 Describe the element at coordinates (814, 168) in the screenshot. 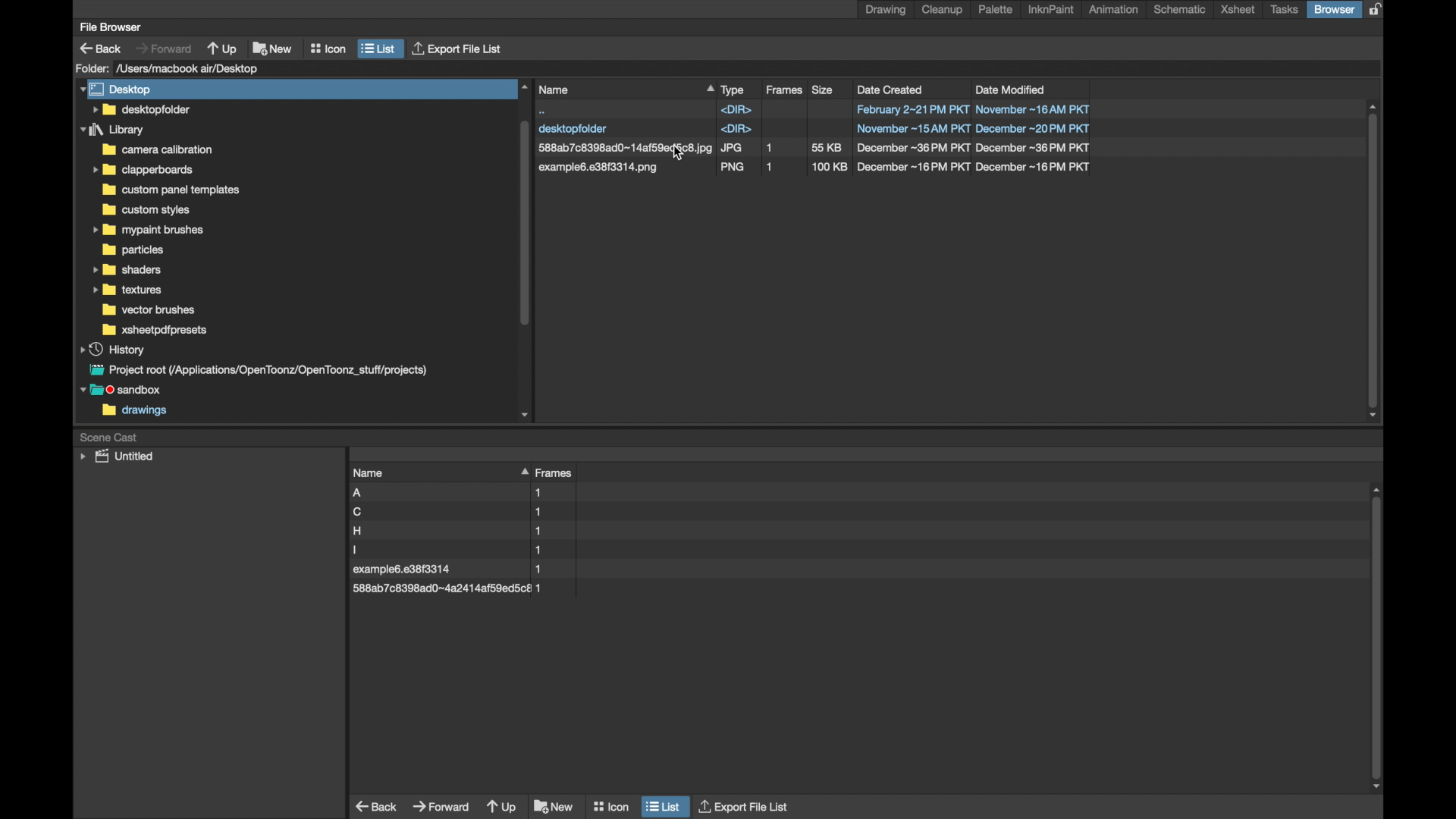

I see `file` at that location.